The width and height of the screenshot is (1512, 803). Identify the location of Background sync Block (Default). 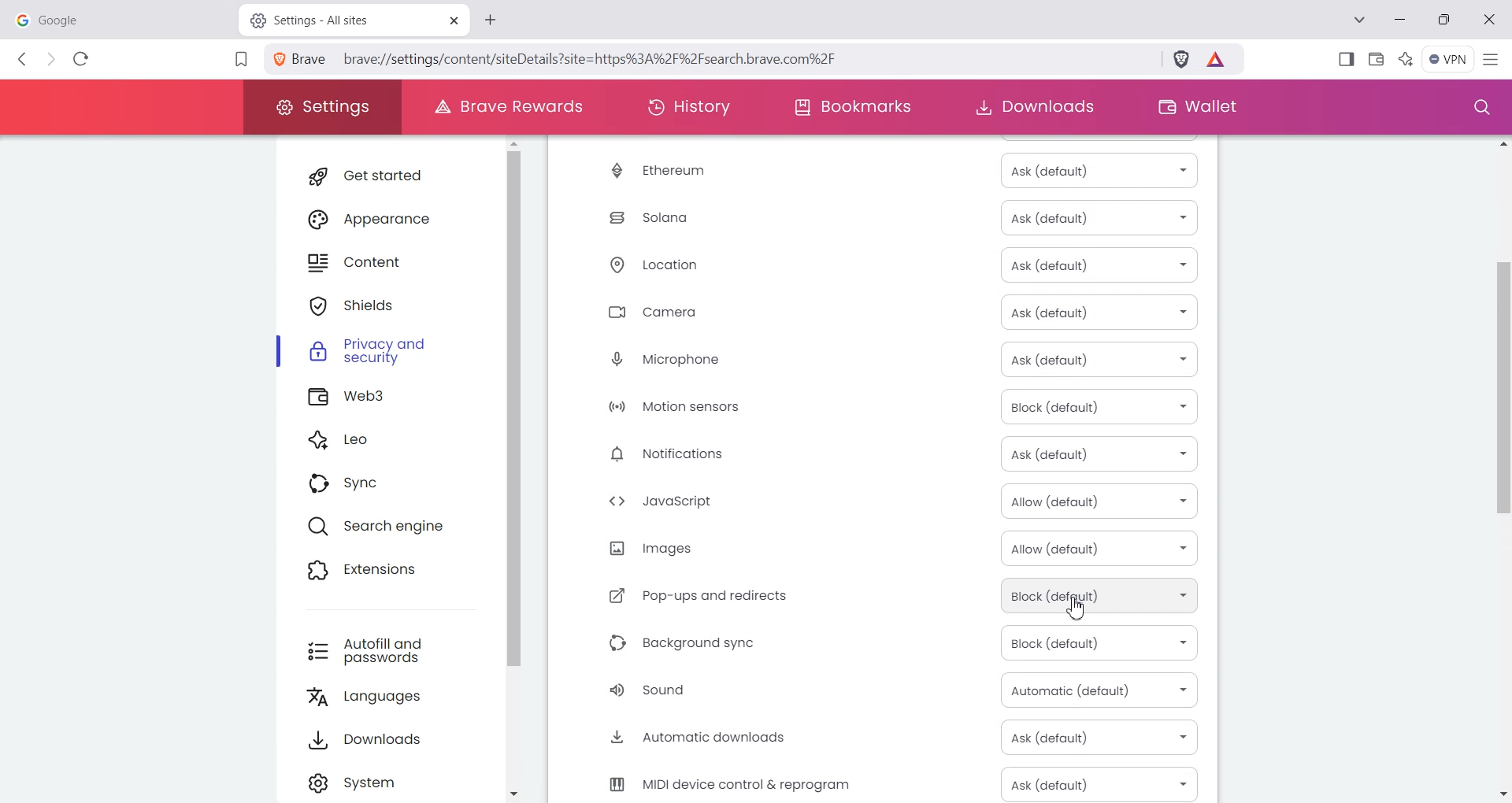
(885, 644).